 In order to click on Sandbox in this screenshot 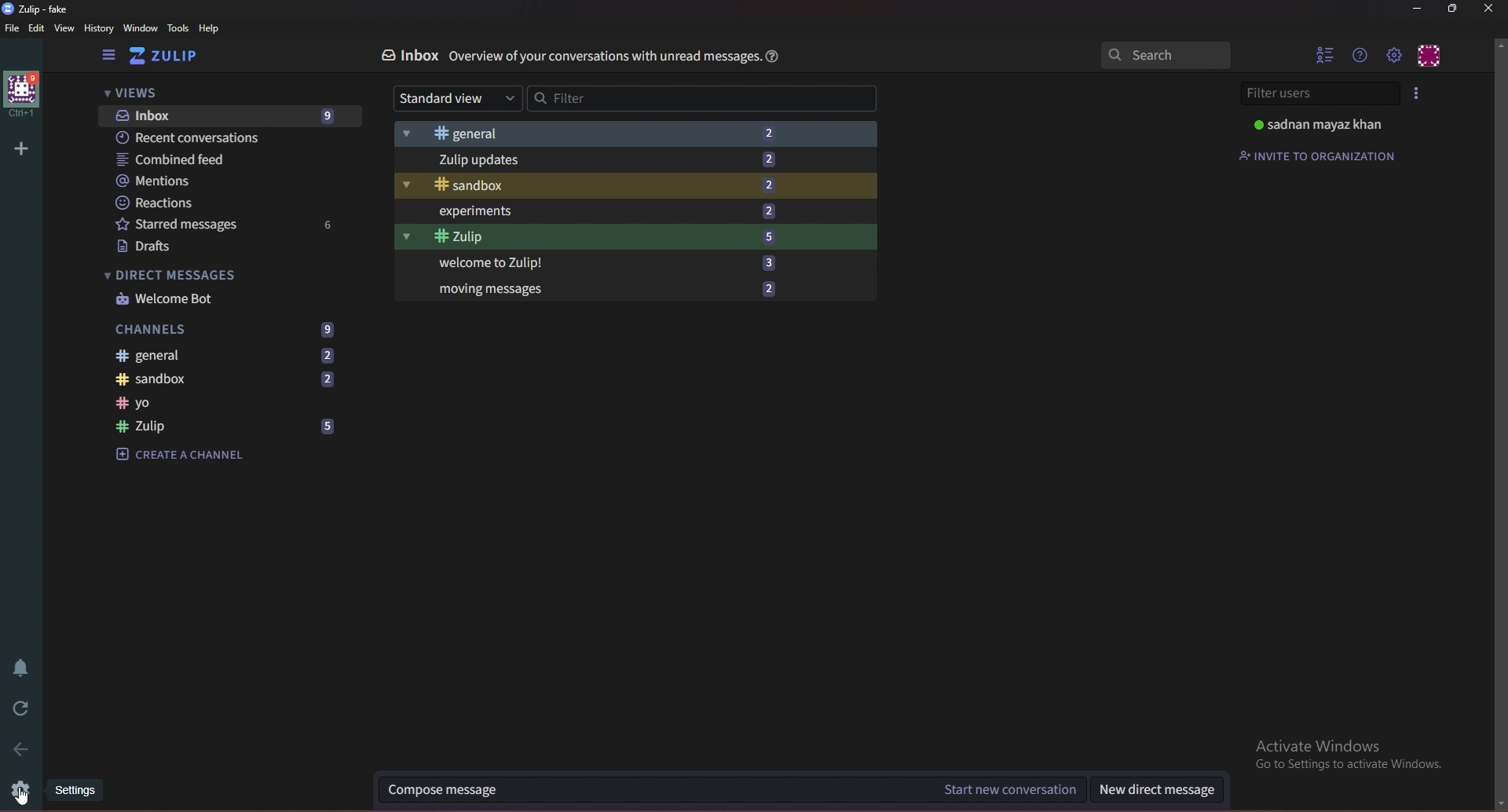, I will do `click(232, 378)`.